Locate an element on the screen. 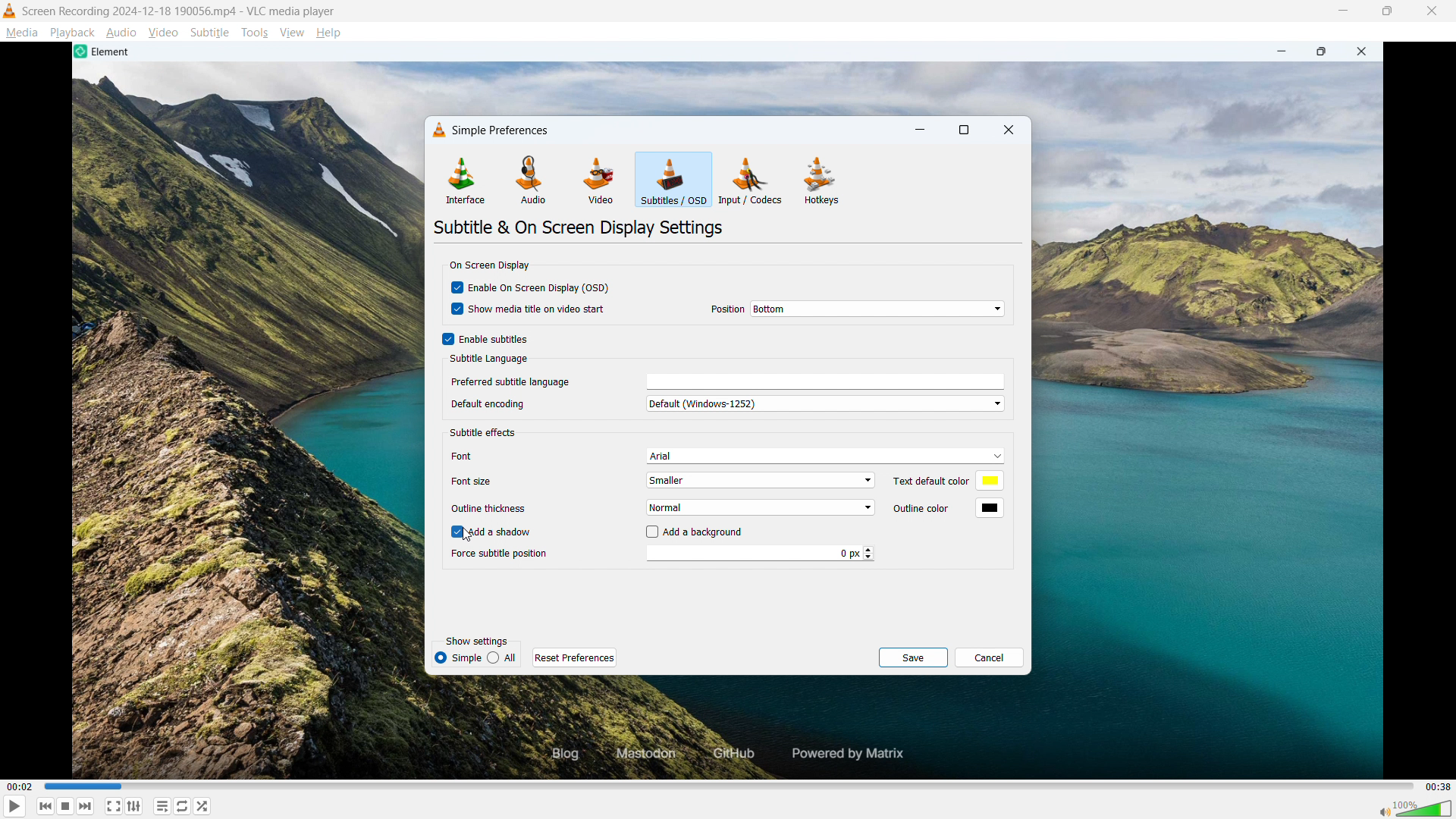 The image size is (1456, 819). Enable on screen display (OSD) is located at coordinates (539, 287).